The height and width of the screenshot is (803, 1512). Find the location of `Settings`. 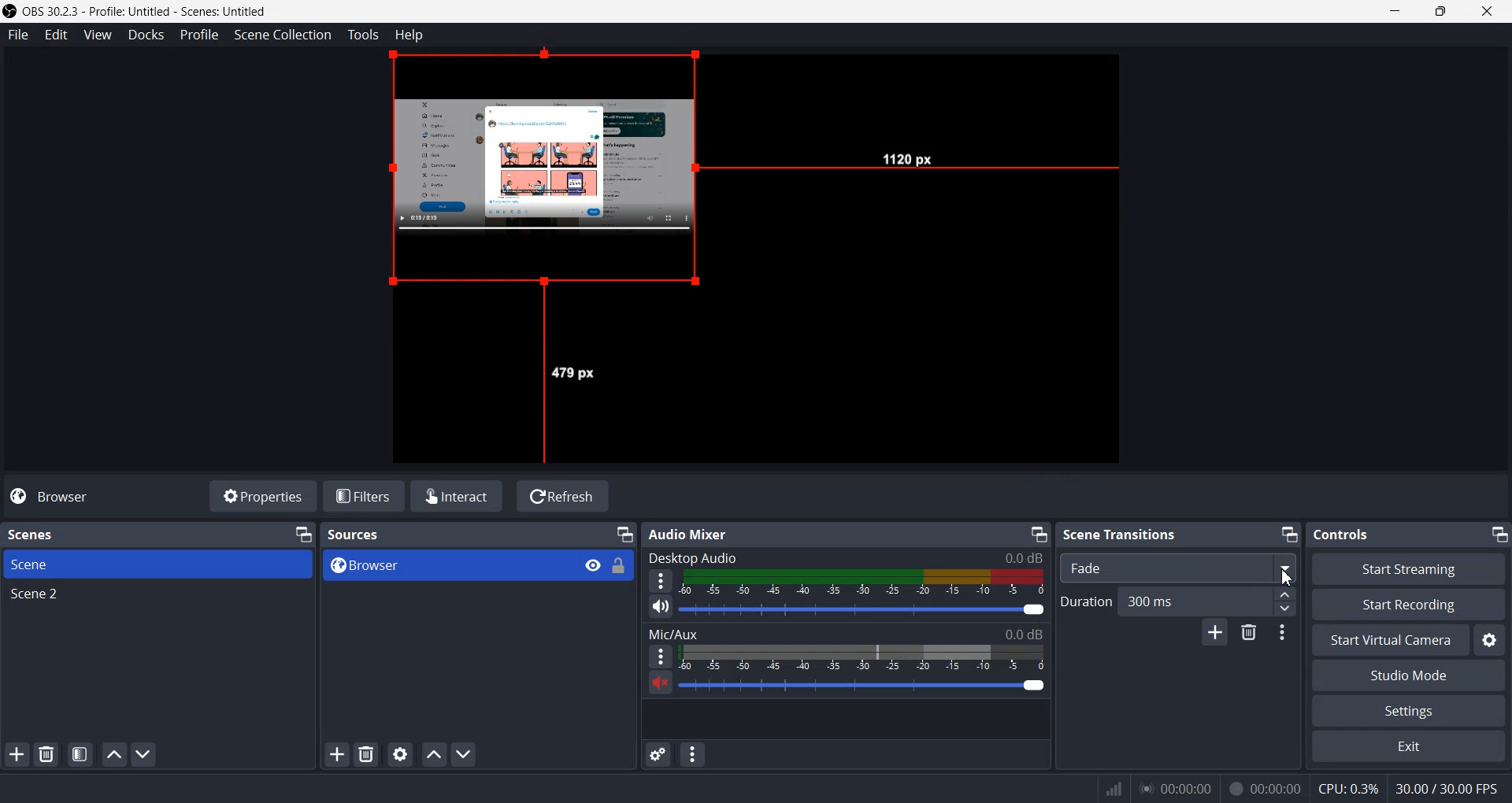

Settings is located at coordinates (1409, 710).